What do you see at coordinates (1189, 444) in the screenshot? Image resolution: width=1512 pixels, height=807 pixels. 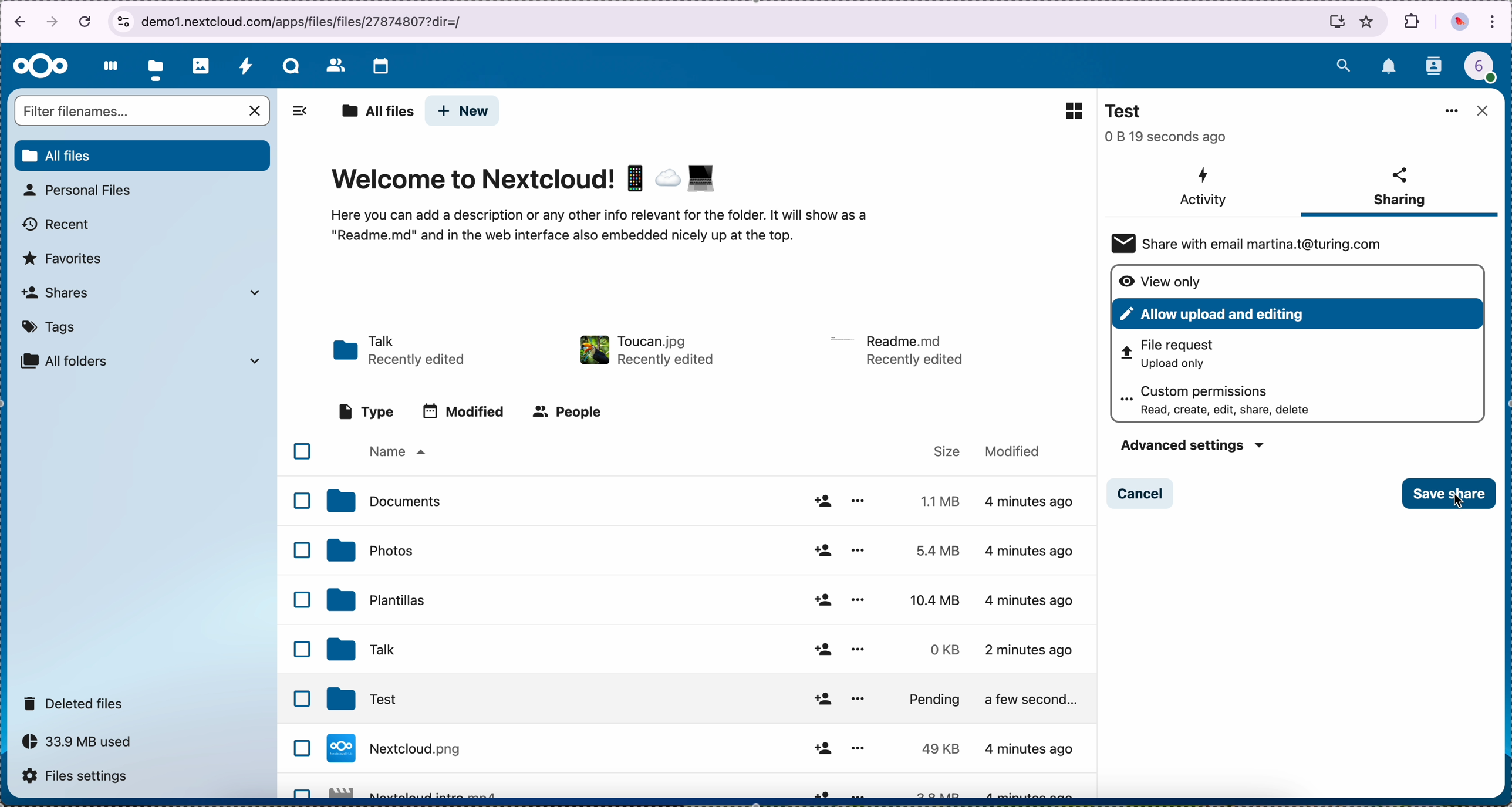 I see `advanced settings` at bounding box center [1189, 444].